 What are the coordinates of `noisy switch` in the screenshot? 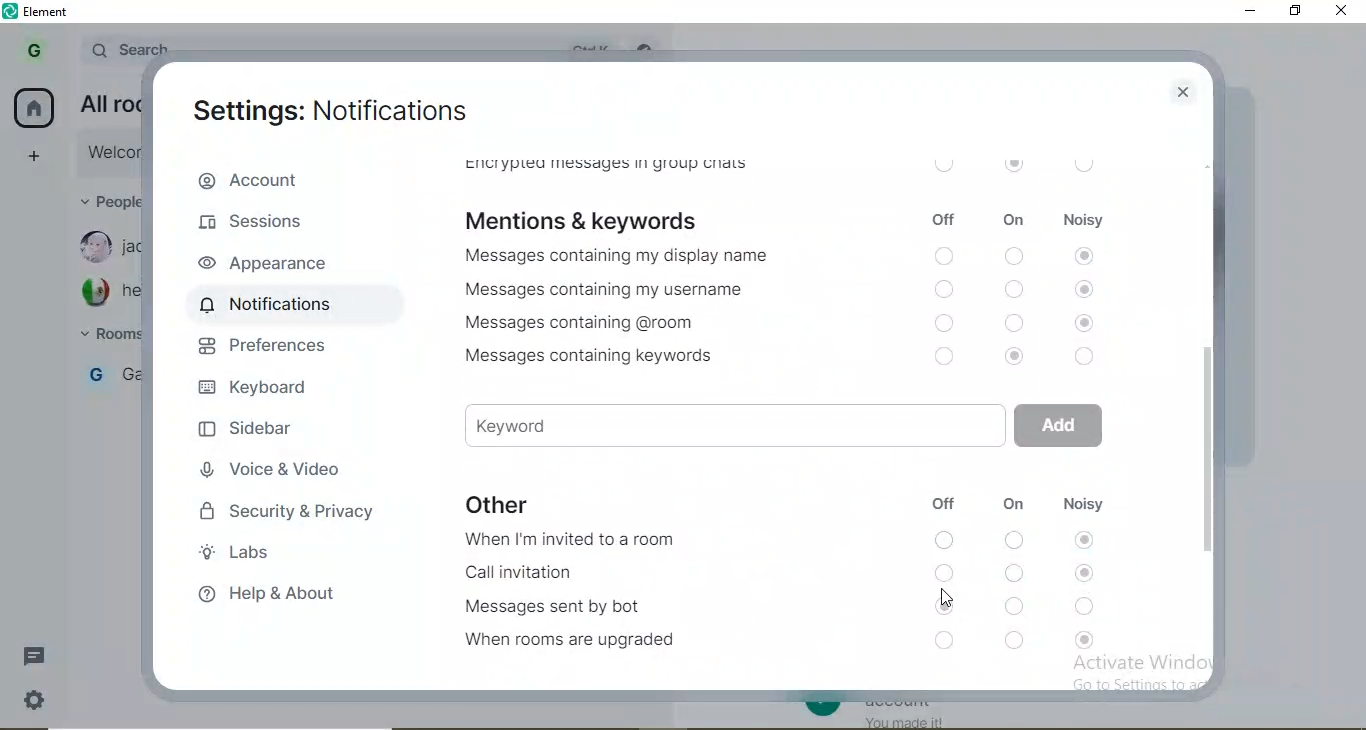 It's located at (1076, 162).